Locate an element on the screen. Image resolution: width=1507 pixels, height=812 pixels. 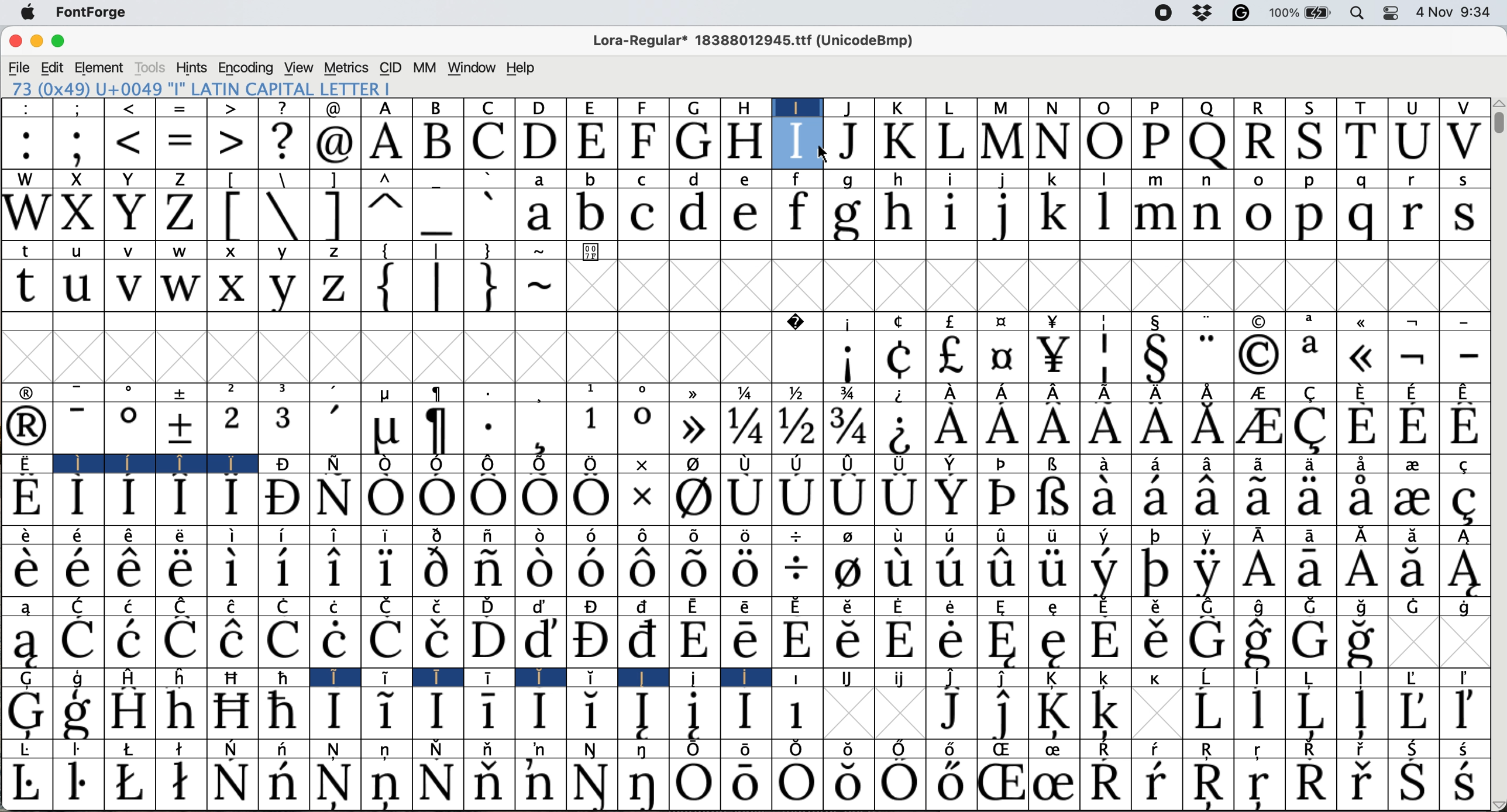
symbol is located at coordinates (1259, 321).